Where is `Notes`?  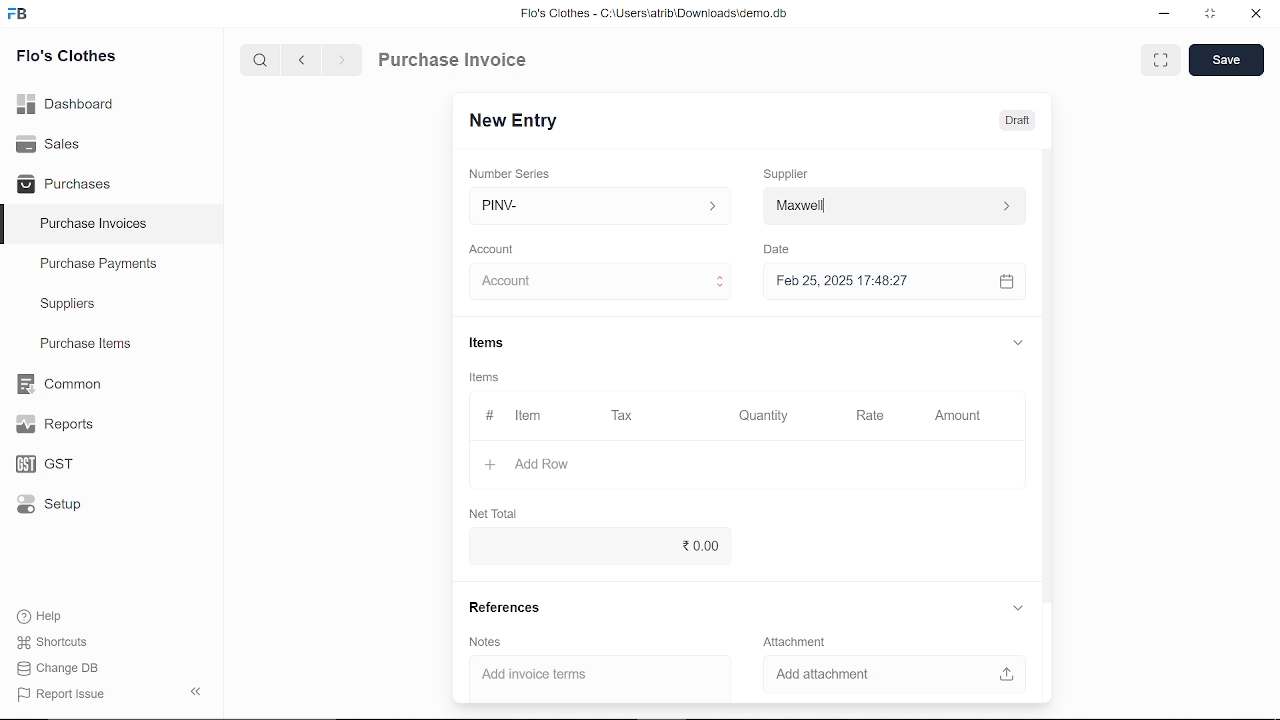
Notes is located at coordinates (487, 643).